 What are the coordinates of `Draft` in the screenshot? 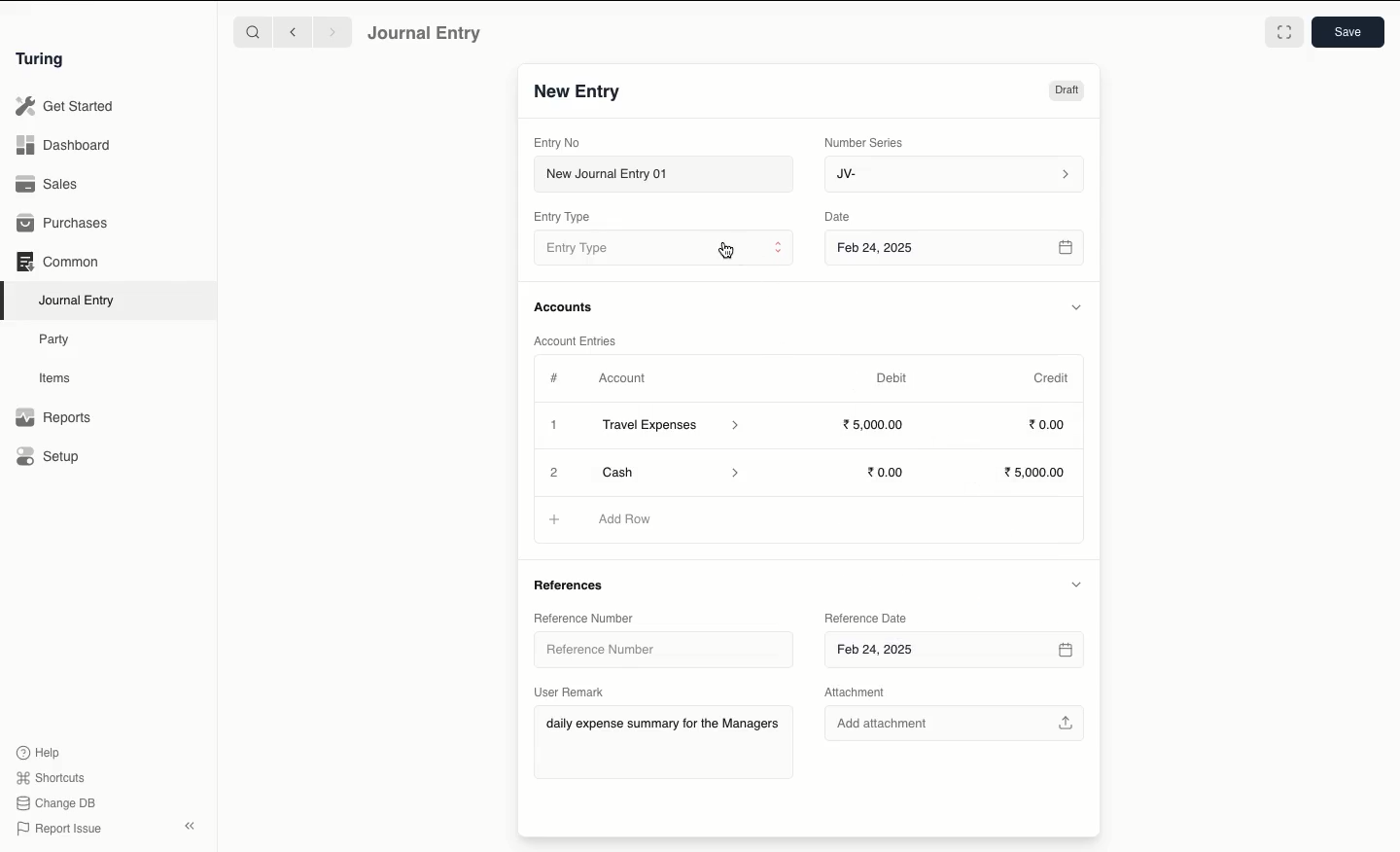 It's located at (1067, 90).